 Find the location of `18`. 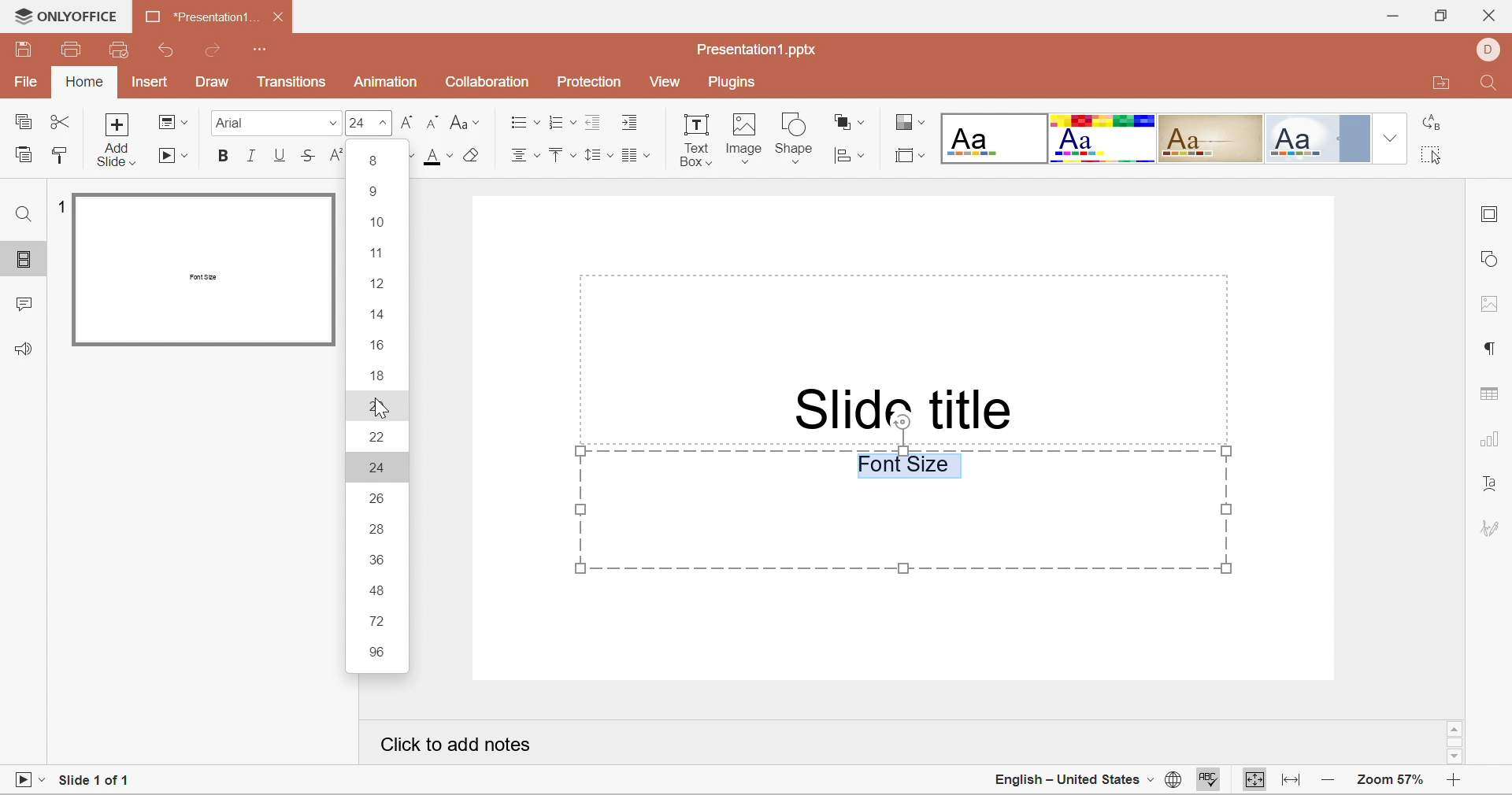

18 is located at coordinates (379, 375).